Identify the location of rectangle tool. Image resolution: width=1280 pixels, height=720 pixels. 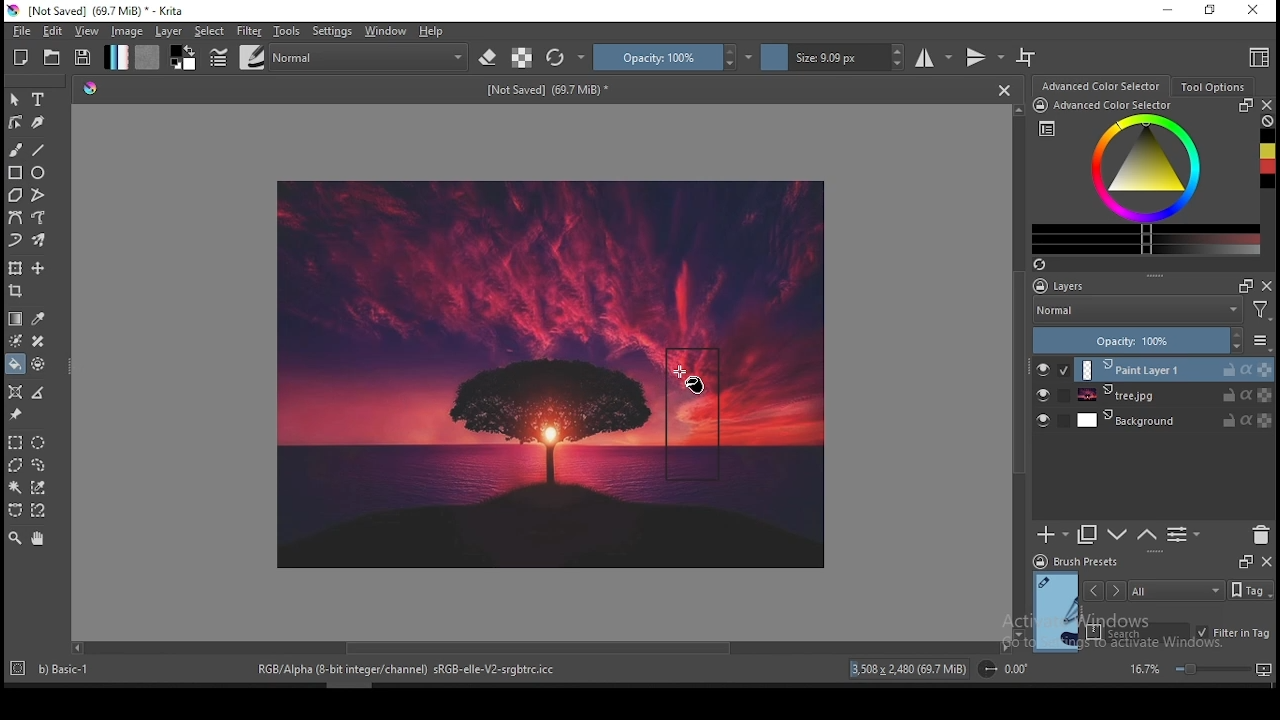
(14, 173).